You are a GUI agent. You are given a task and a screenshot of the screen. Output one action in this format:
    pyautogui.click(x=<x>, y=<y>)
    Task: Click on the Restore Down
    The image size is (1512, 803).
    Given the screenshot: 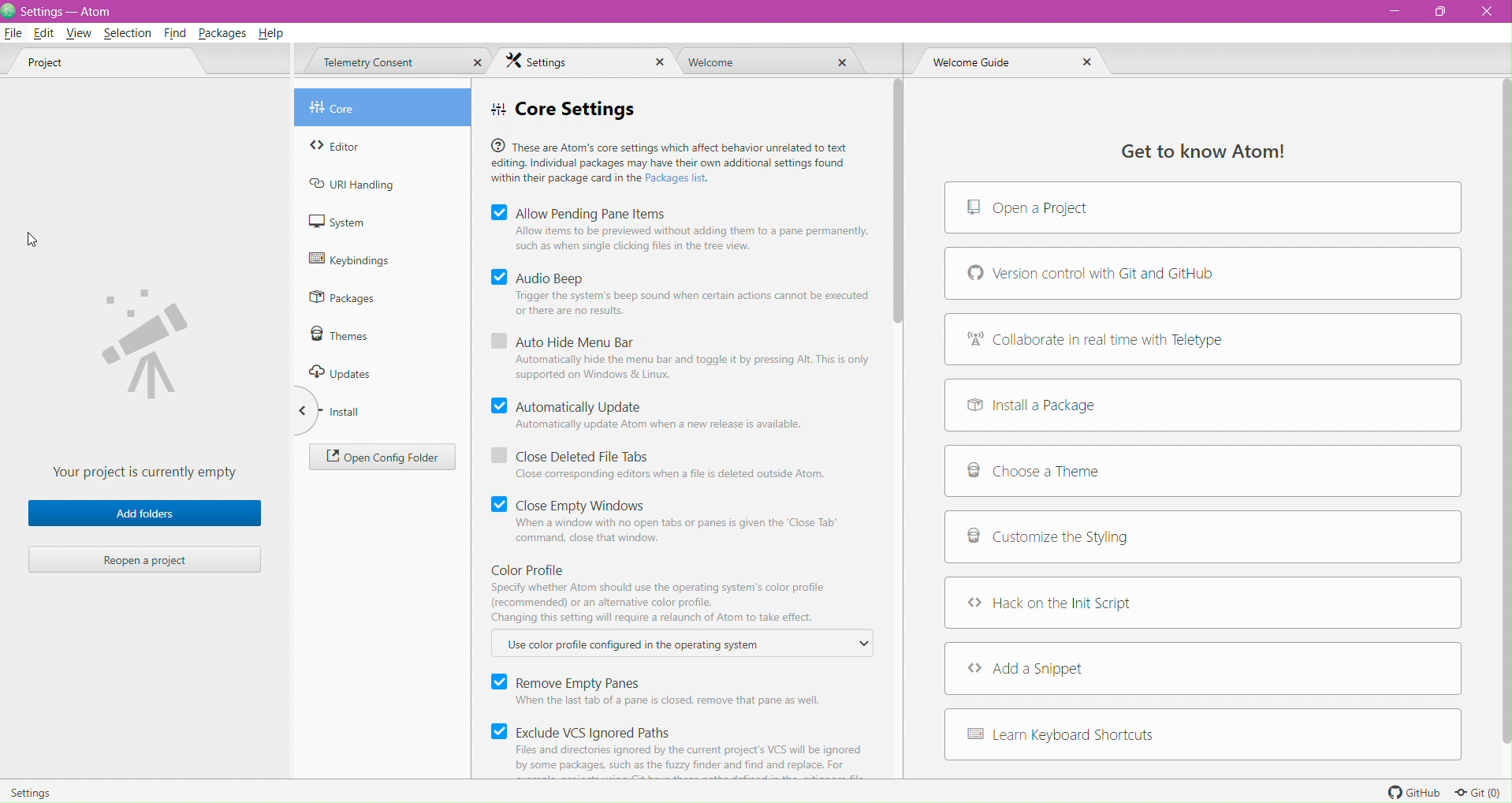 What is the action you would take?
    pyautogui.click(x=1447, y=12)
    